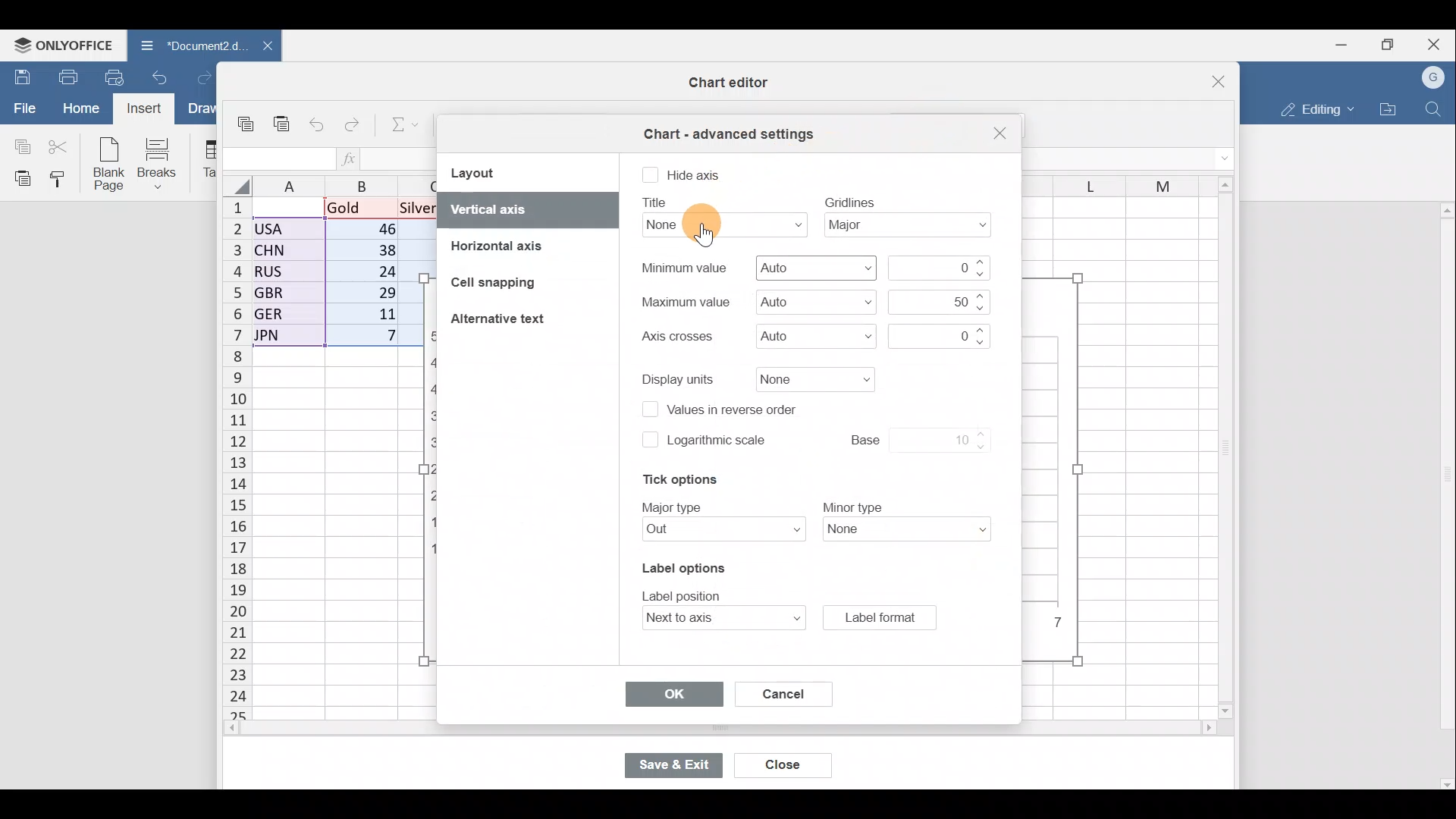  I want to click on Base, so click(904, 438).